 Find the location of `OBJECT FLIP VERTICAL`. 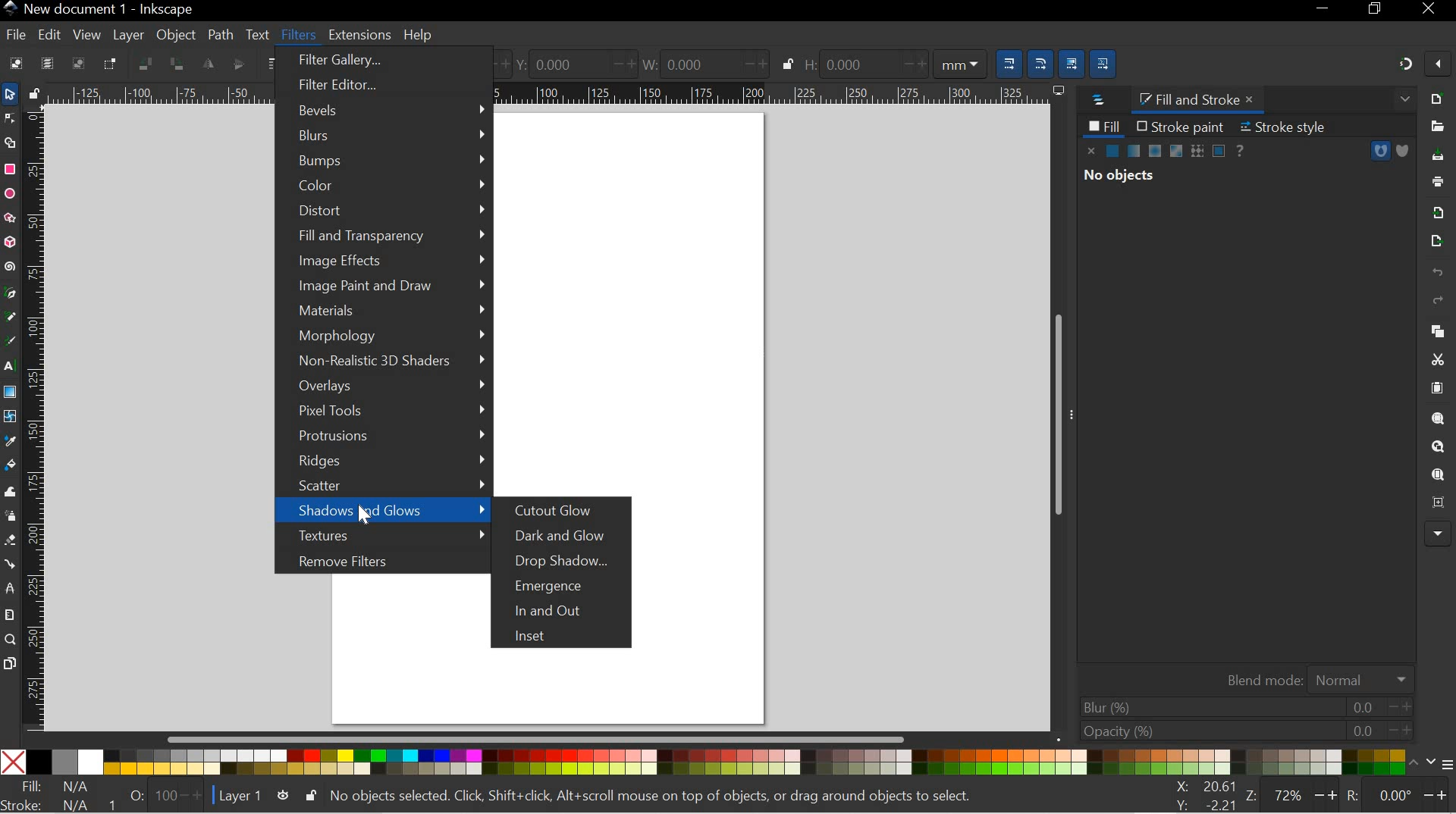

OBJECT FLIP VERTICAL is located at coordinates (237, 64).